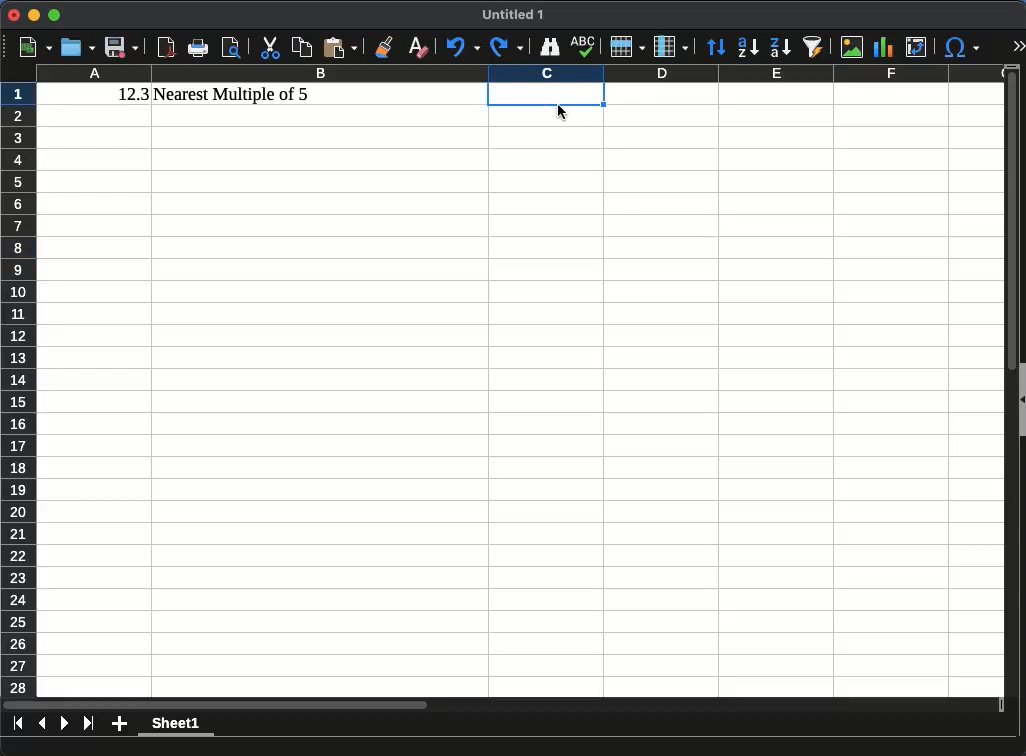 This screenshot has width=1026, height=756. I want to click on descending, so click(780, 48).